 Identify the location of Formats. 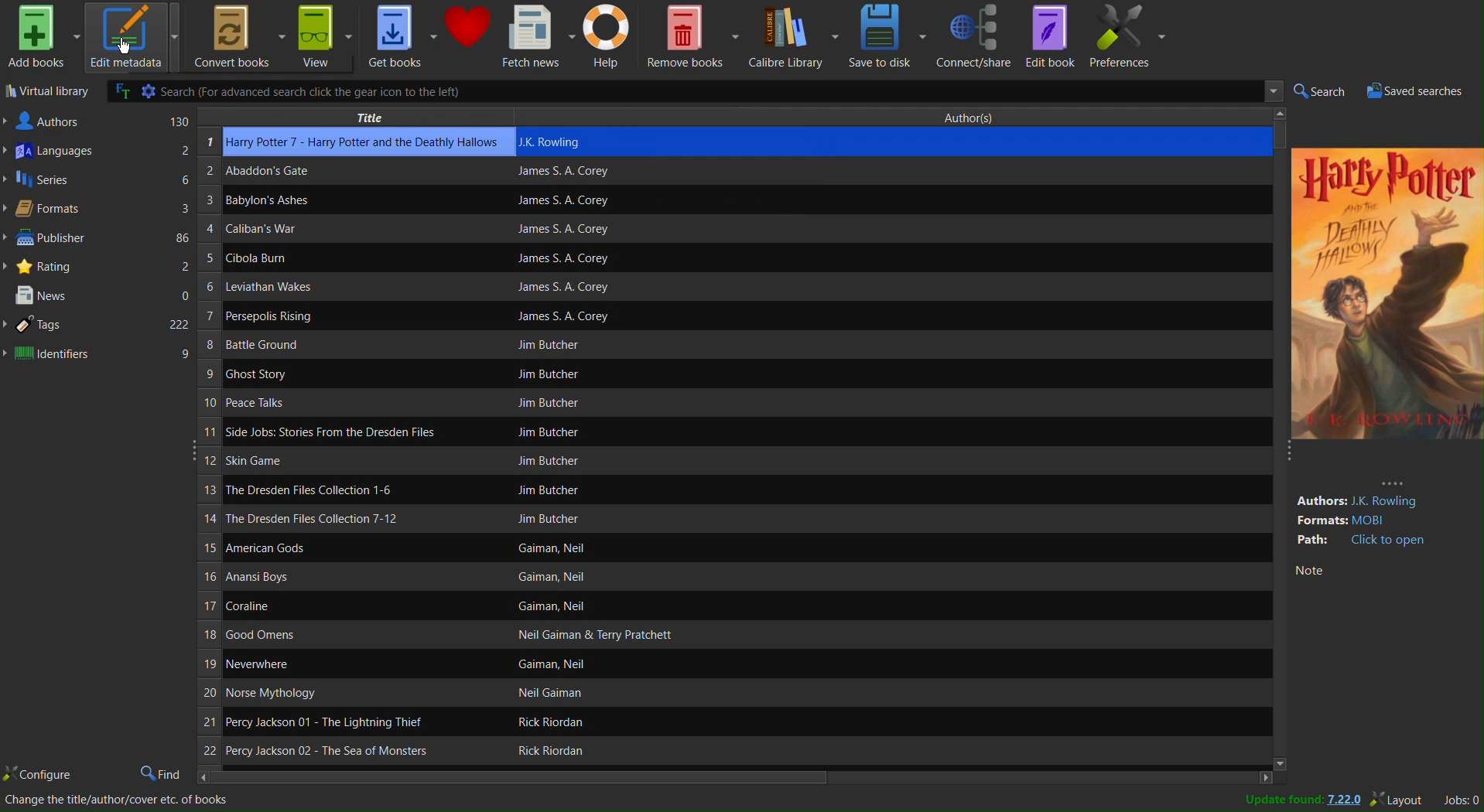
(99, 210).